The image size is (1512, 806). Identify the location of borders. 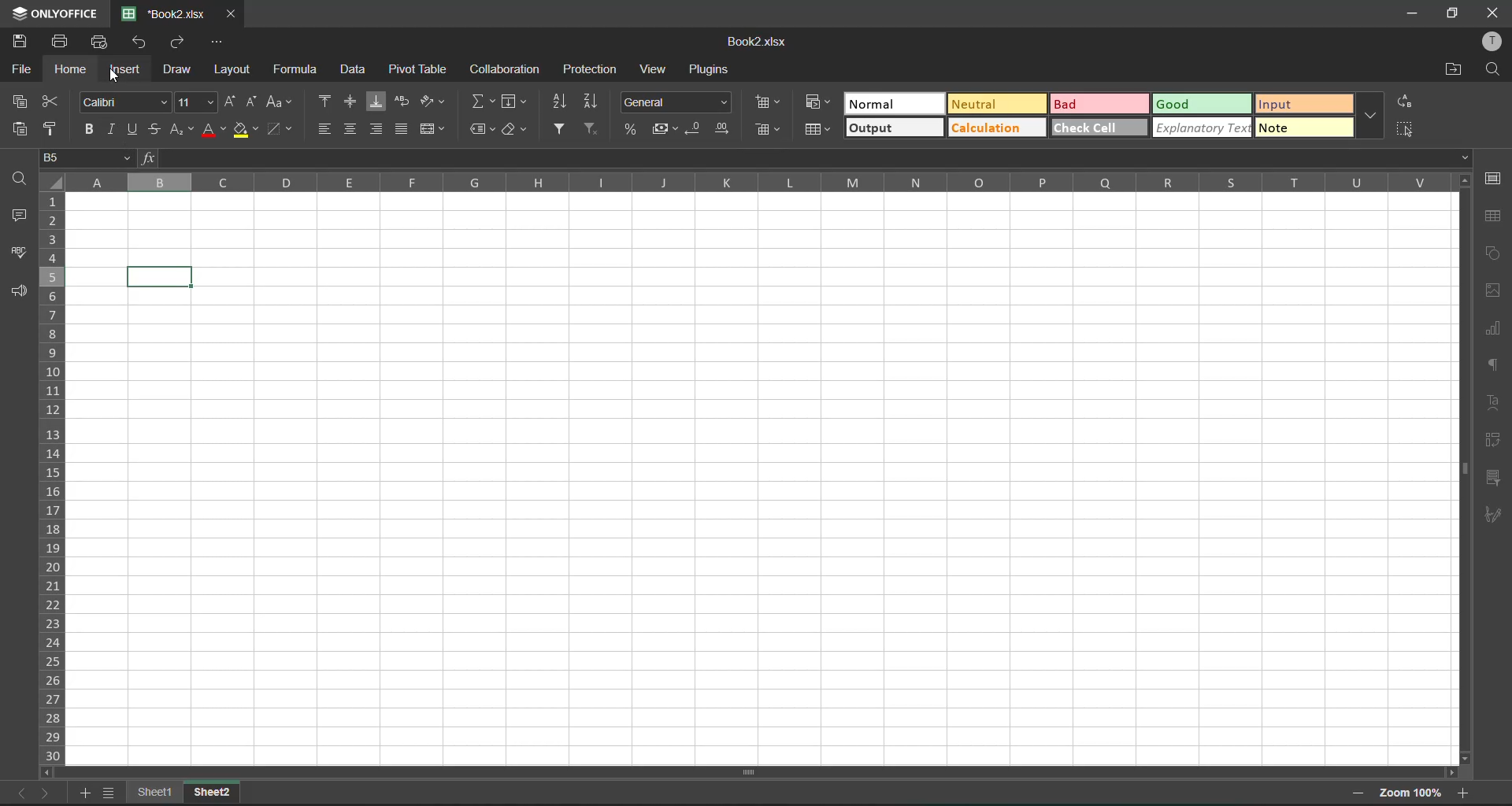
(283, 130).